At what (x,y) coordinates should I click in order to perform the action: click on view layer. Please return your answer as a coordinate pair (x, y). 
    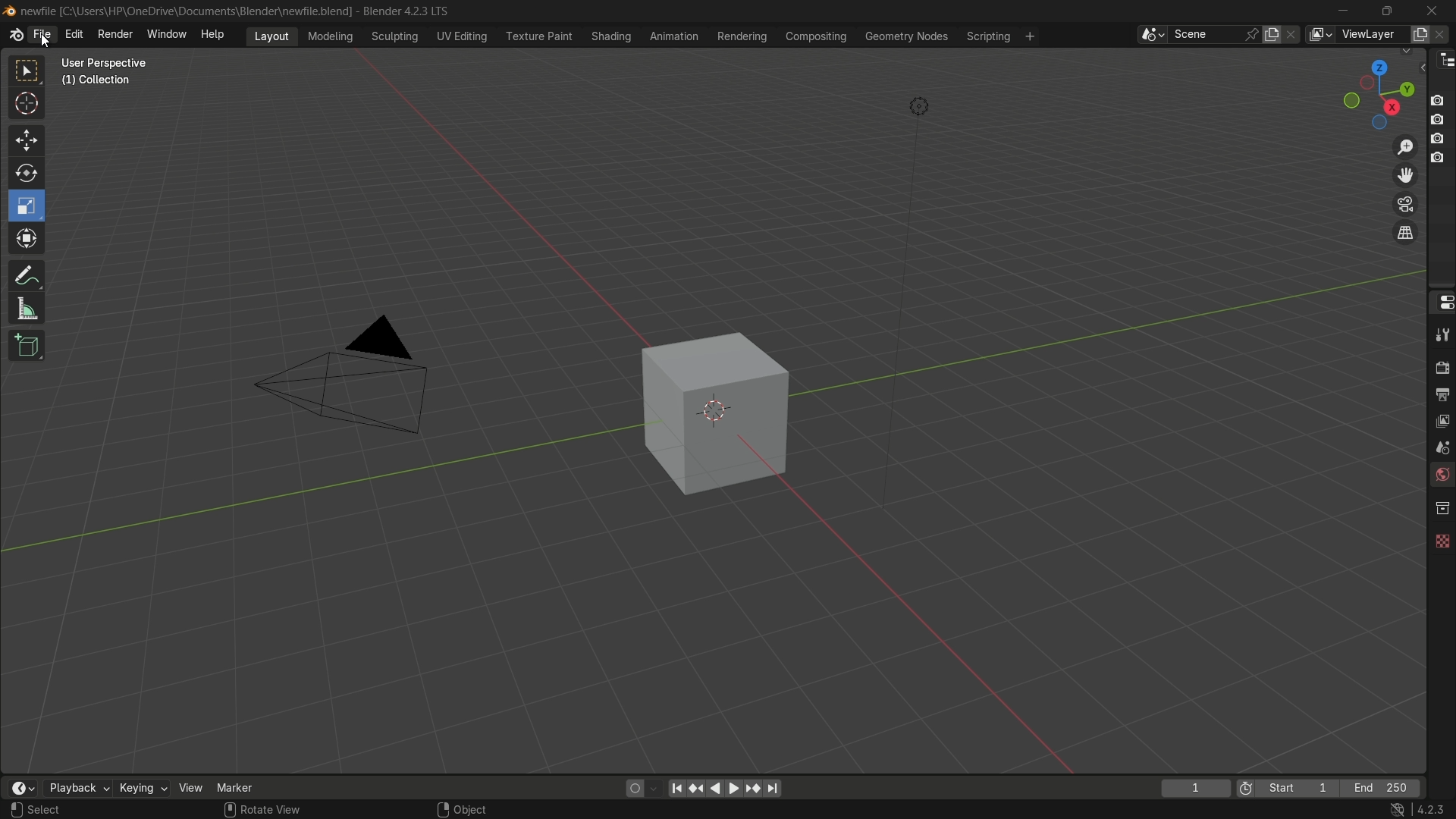
    Looking at the image, I should click on (1441, 419).